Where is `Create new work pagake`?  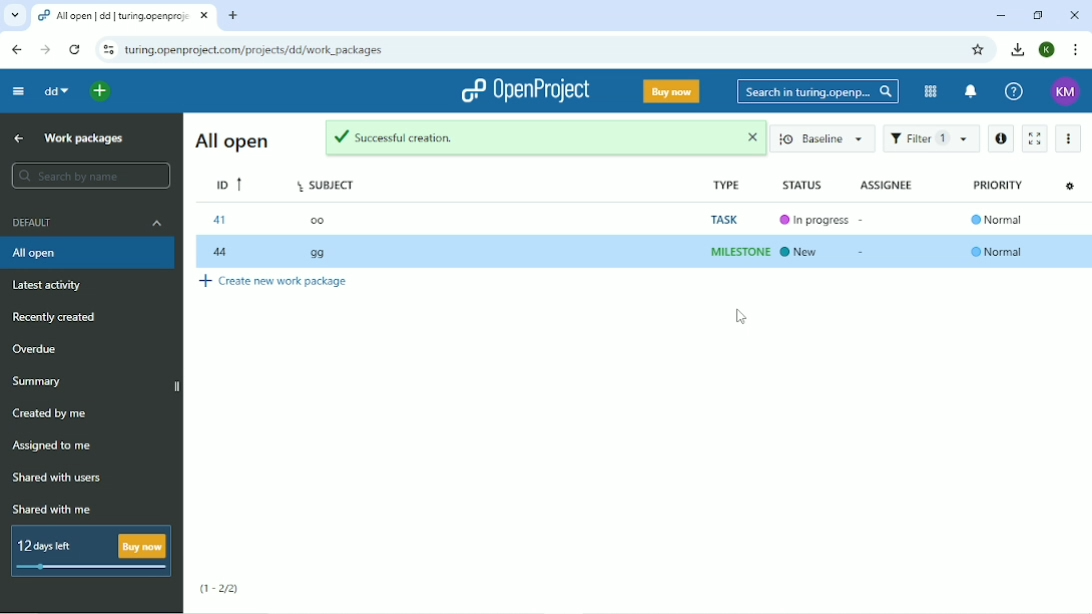
Create new work pagake is located at coordinates (281, 282).